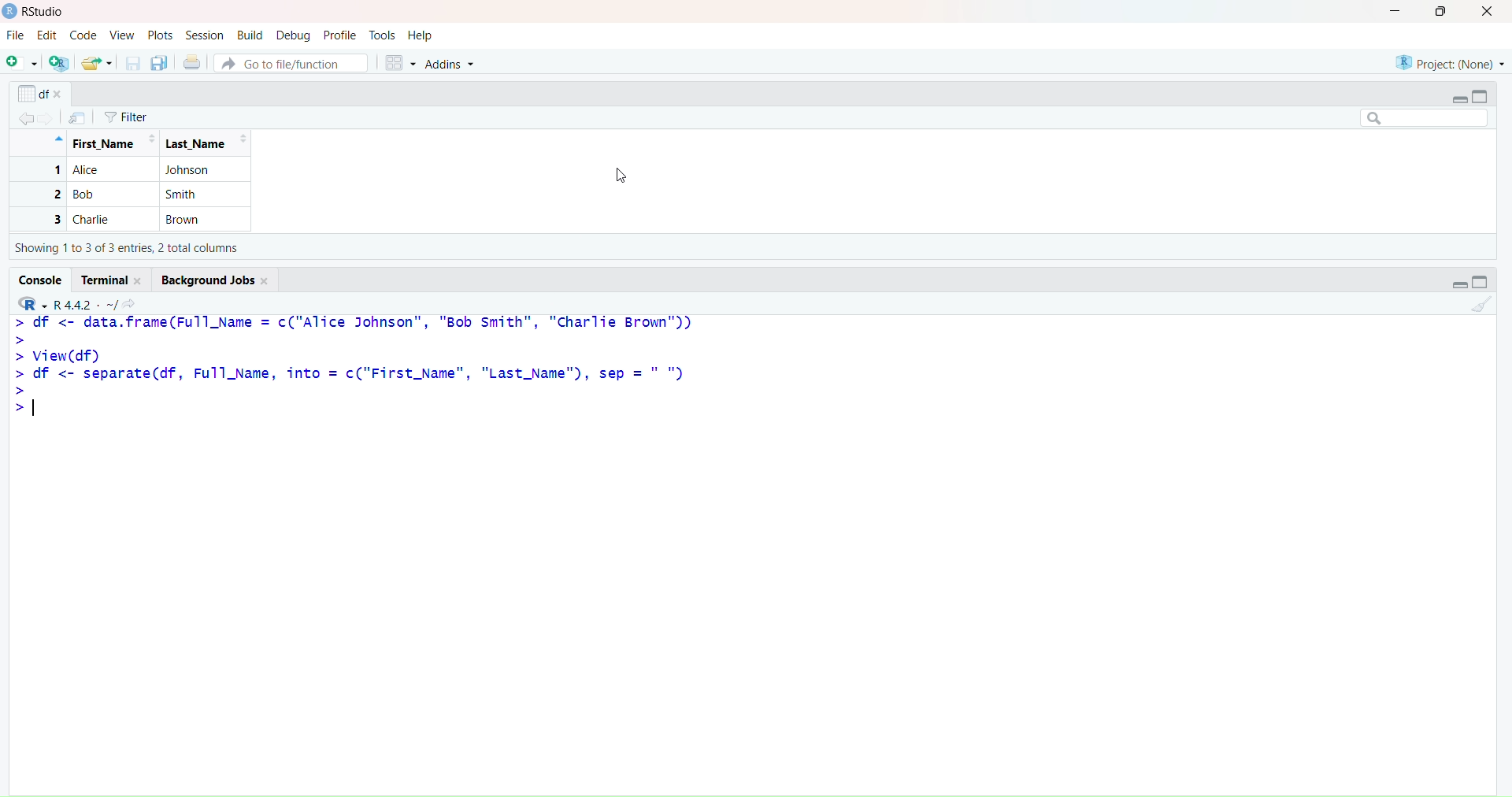 Image resolution: width=1512 pixels, height=797 pixels. What do you see at coordinates (43, 279) in the screenshot?
I see `Console` at bounding box center [43, 279].